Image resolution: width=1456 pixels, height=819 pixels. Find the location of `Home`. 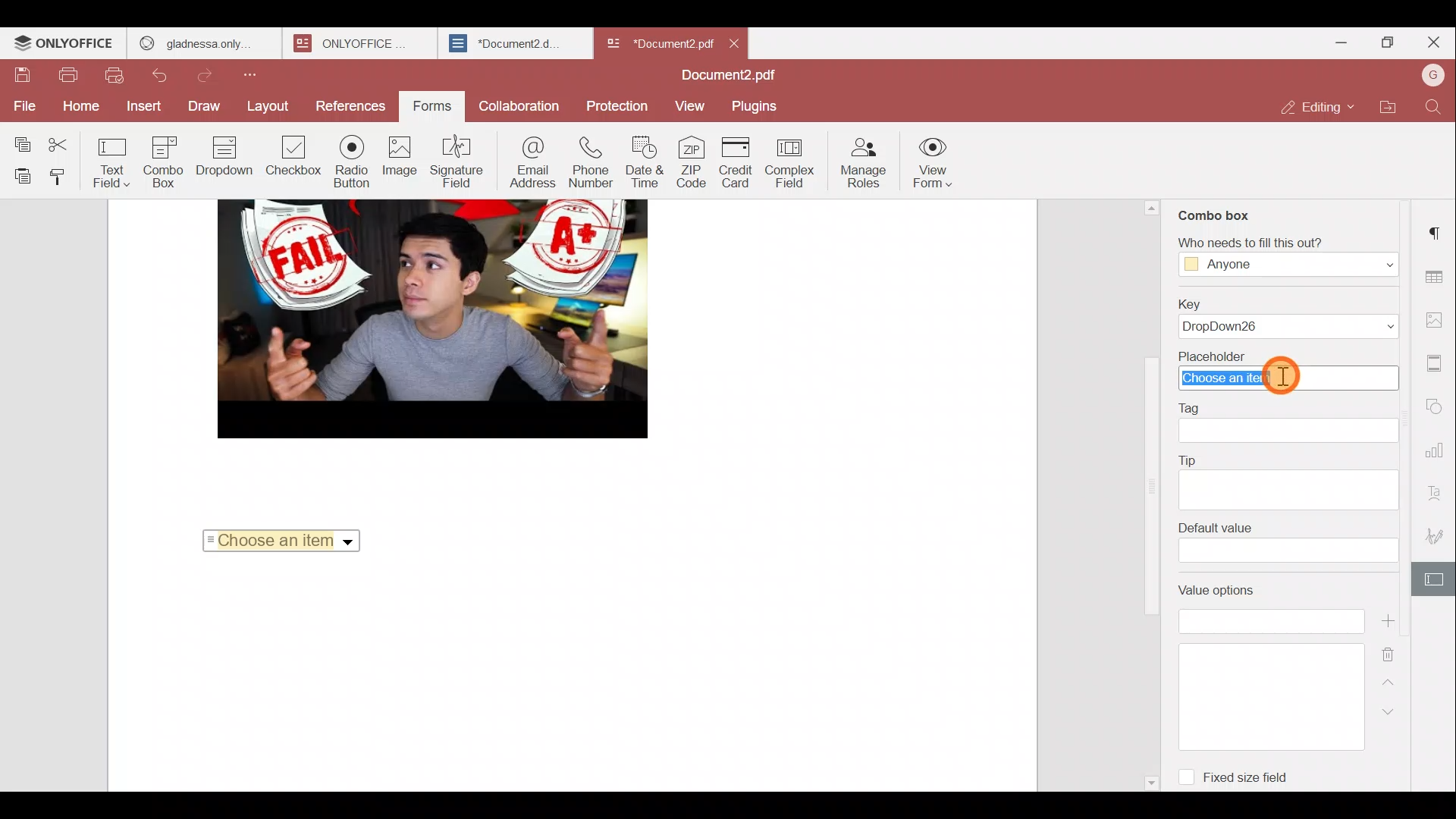

Home is located at coordinates (77, 108).